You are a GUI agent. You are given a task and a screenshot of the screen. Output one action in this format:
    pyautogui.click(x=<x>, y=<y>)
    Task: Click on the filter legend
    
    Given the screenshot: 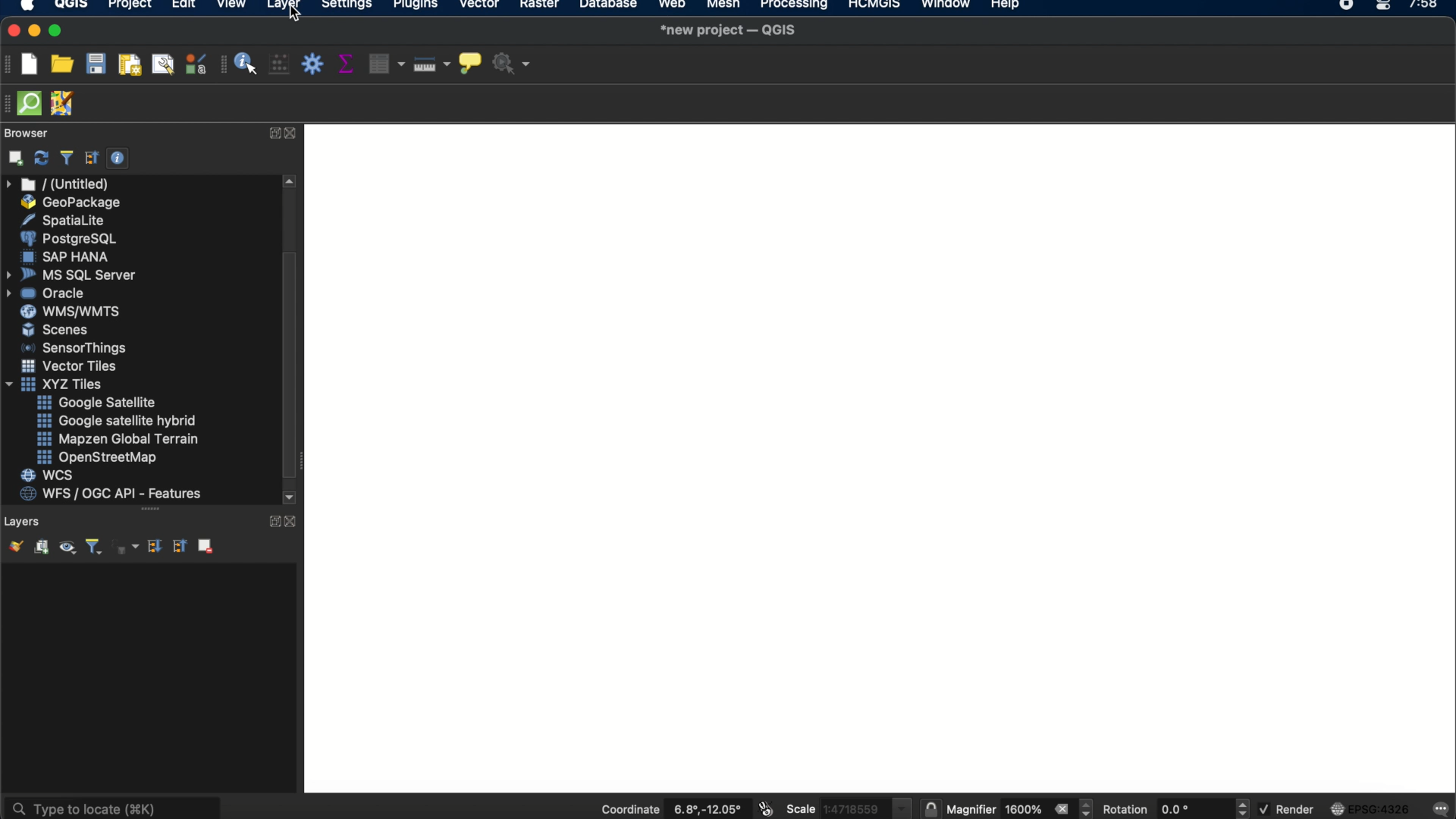 What is the action you would take?
    pyautogui.click(x=93, y=548)
    